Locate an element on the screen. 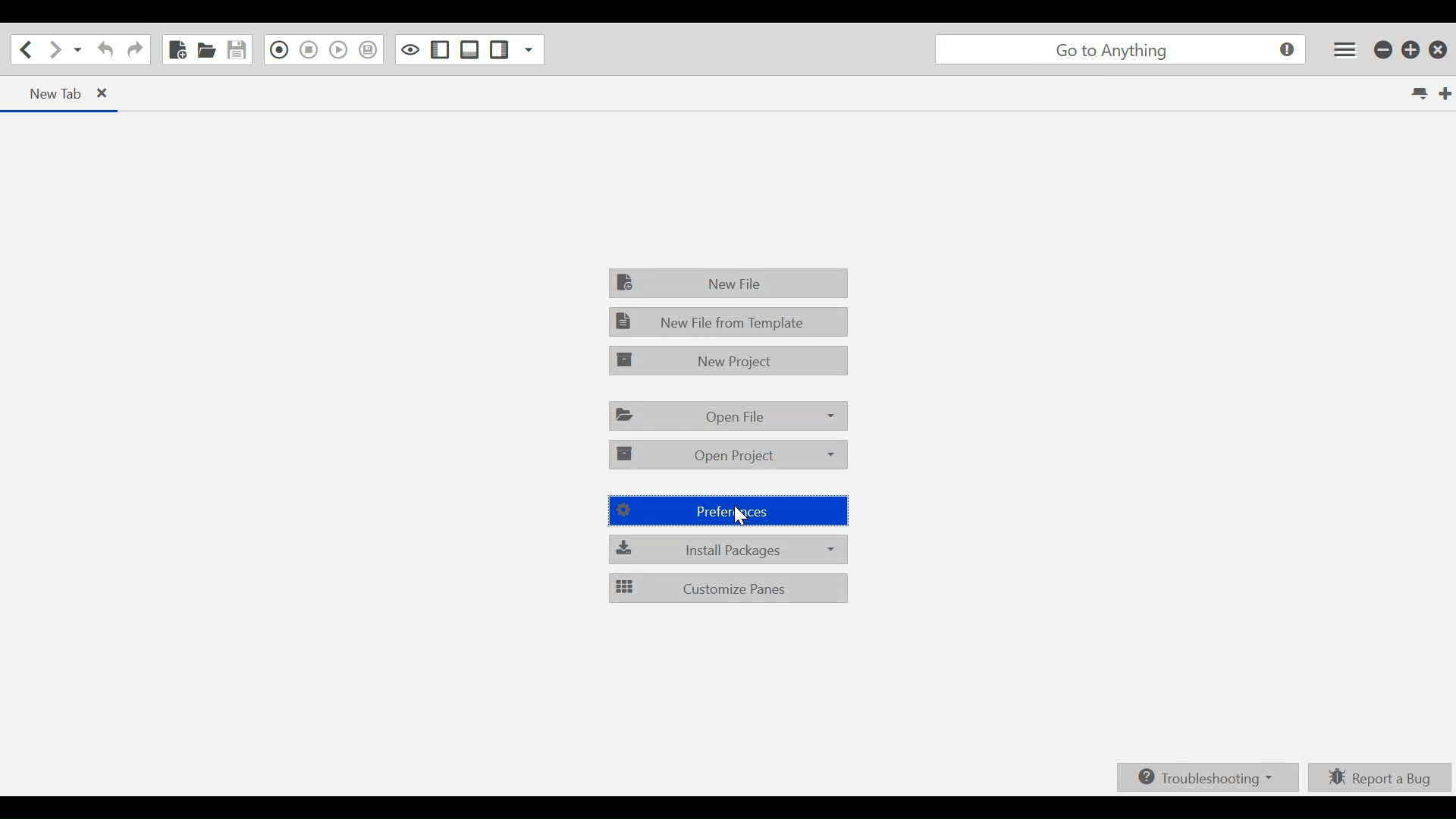 Image resolution: width=1456 pixels, height=819 pixels. Stop Recording Macro is located at coordinates (309, 49).